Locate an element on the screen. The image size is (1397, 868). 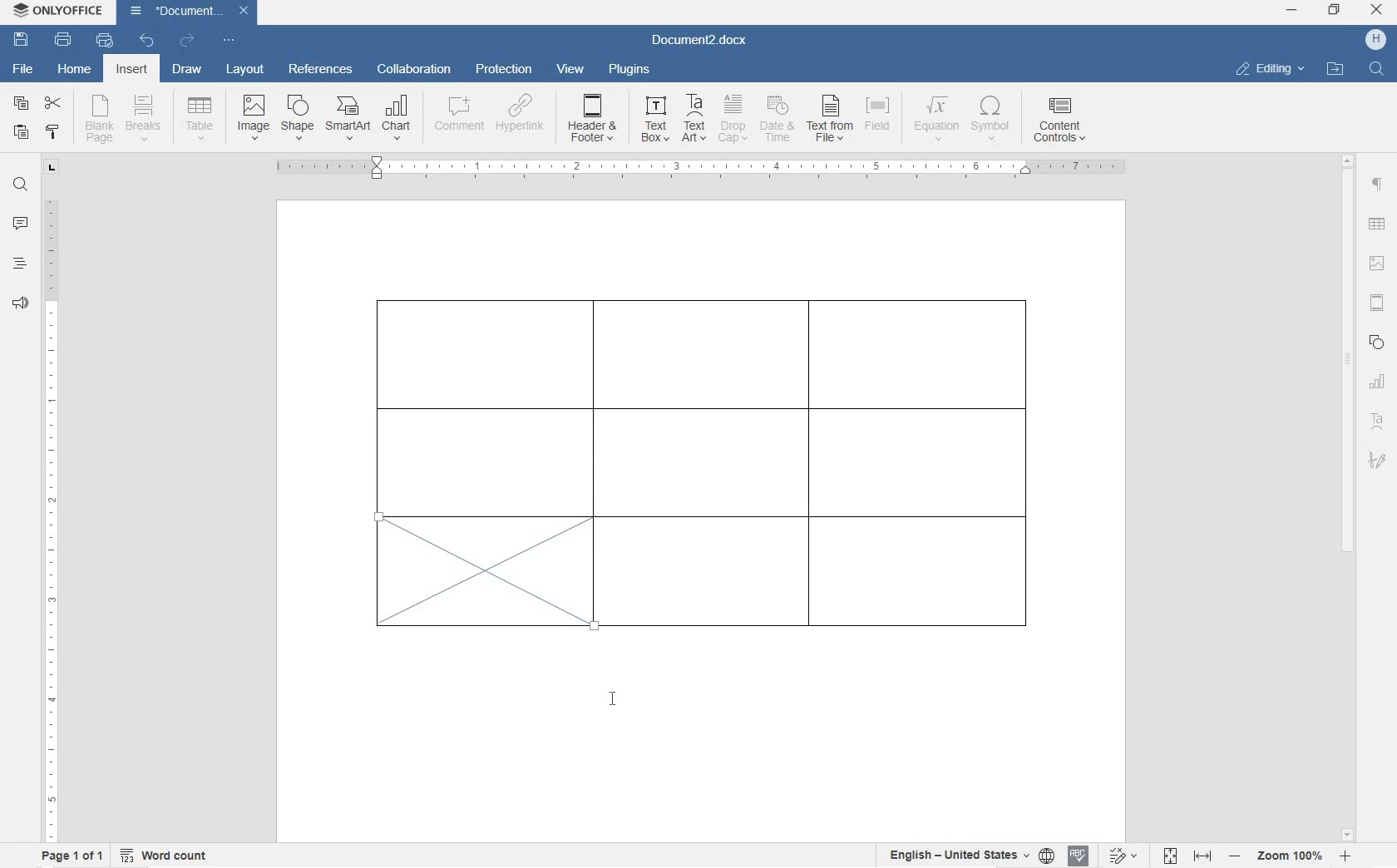
draw is located at coordinates (187, 69).